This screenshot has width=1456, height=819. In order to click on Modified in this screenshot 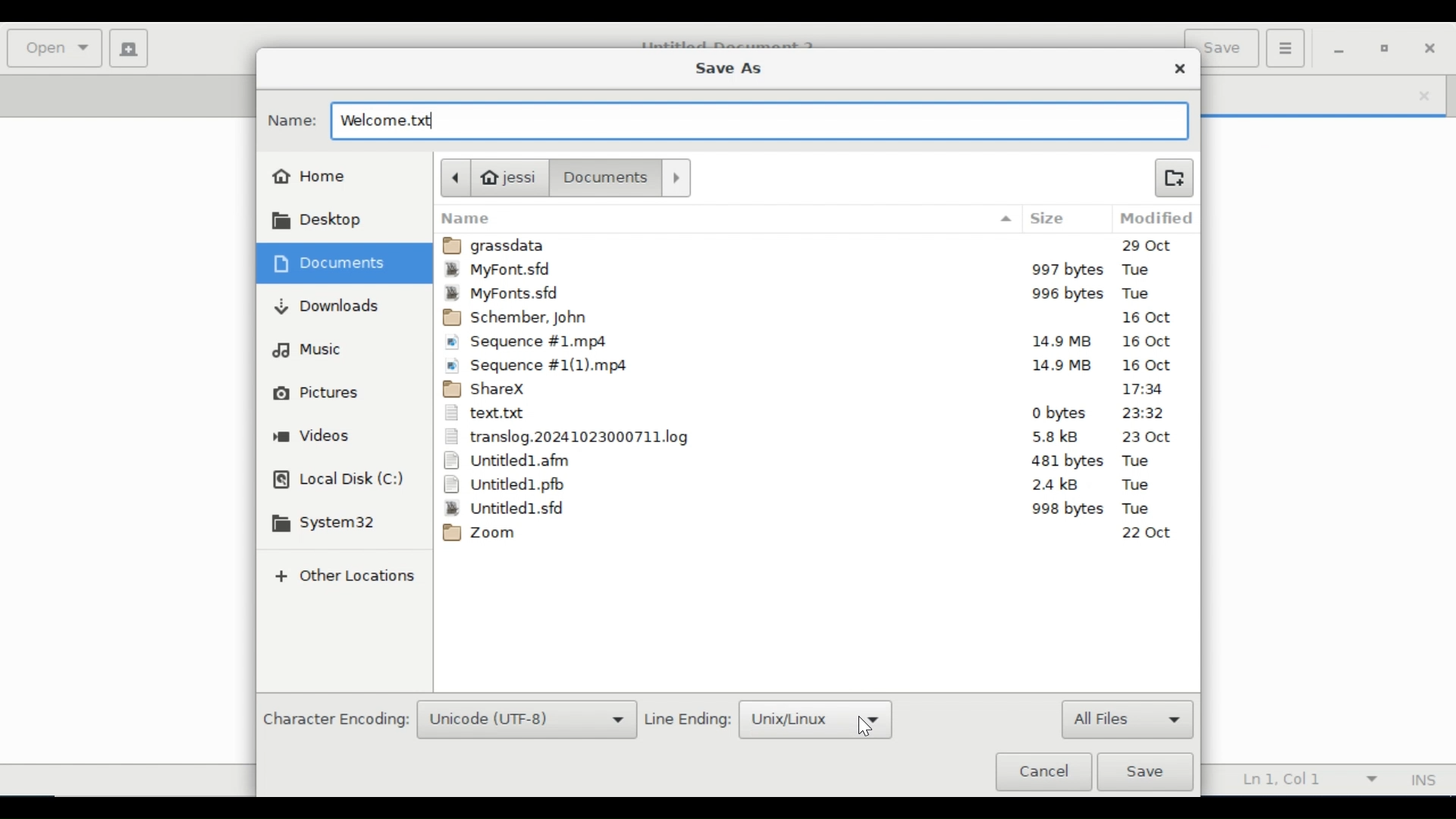, I will do `click(1153, 218)`.